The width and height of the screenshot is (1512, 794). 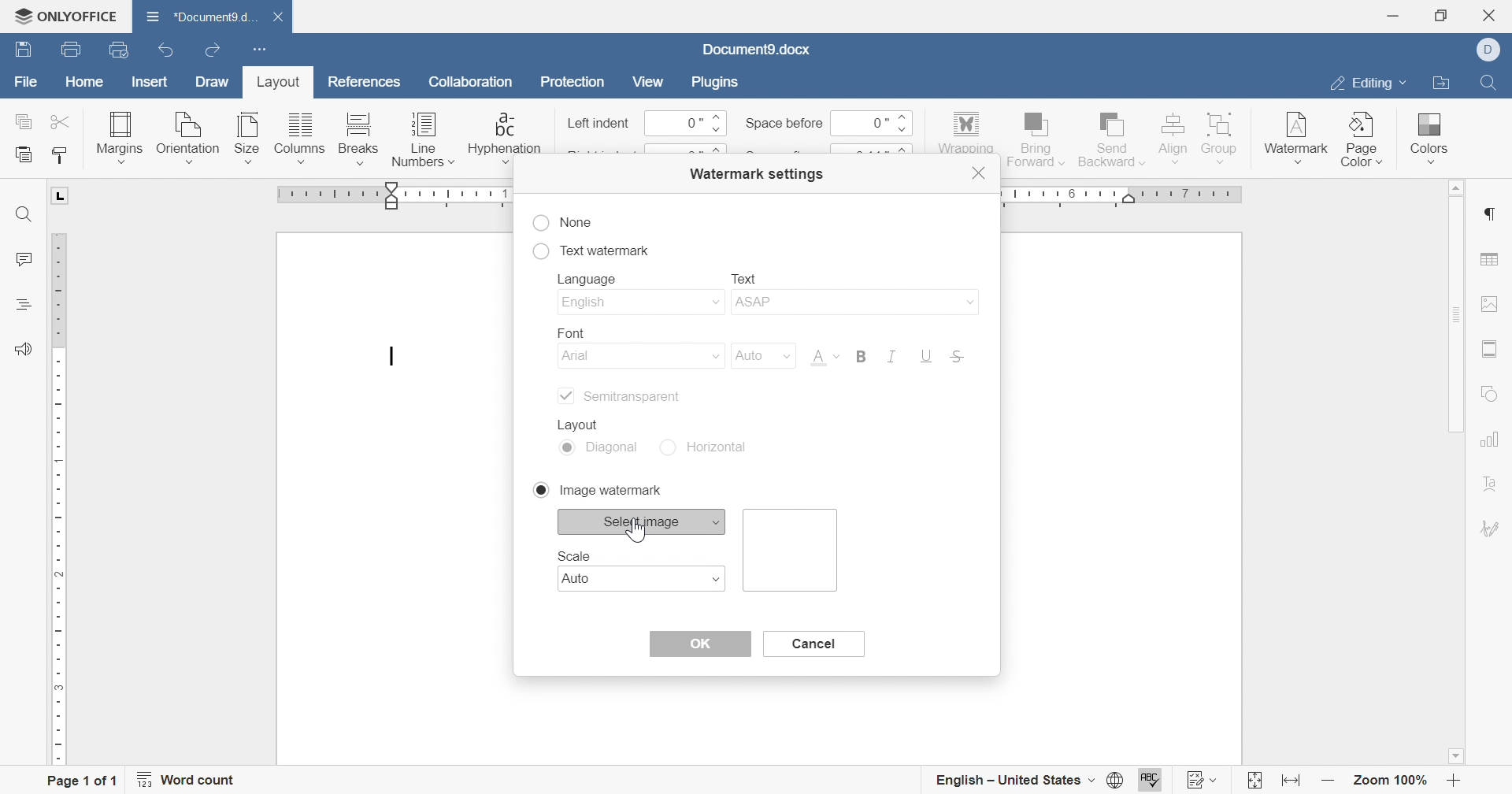 What do you see at coordinates (647, 81) in the screenshot?
I see `view` at bounding box center [647, 81].